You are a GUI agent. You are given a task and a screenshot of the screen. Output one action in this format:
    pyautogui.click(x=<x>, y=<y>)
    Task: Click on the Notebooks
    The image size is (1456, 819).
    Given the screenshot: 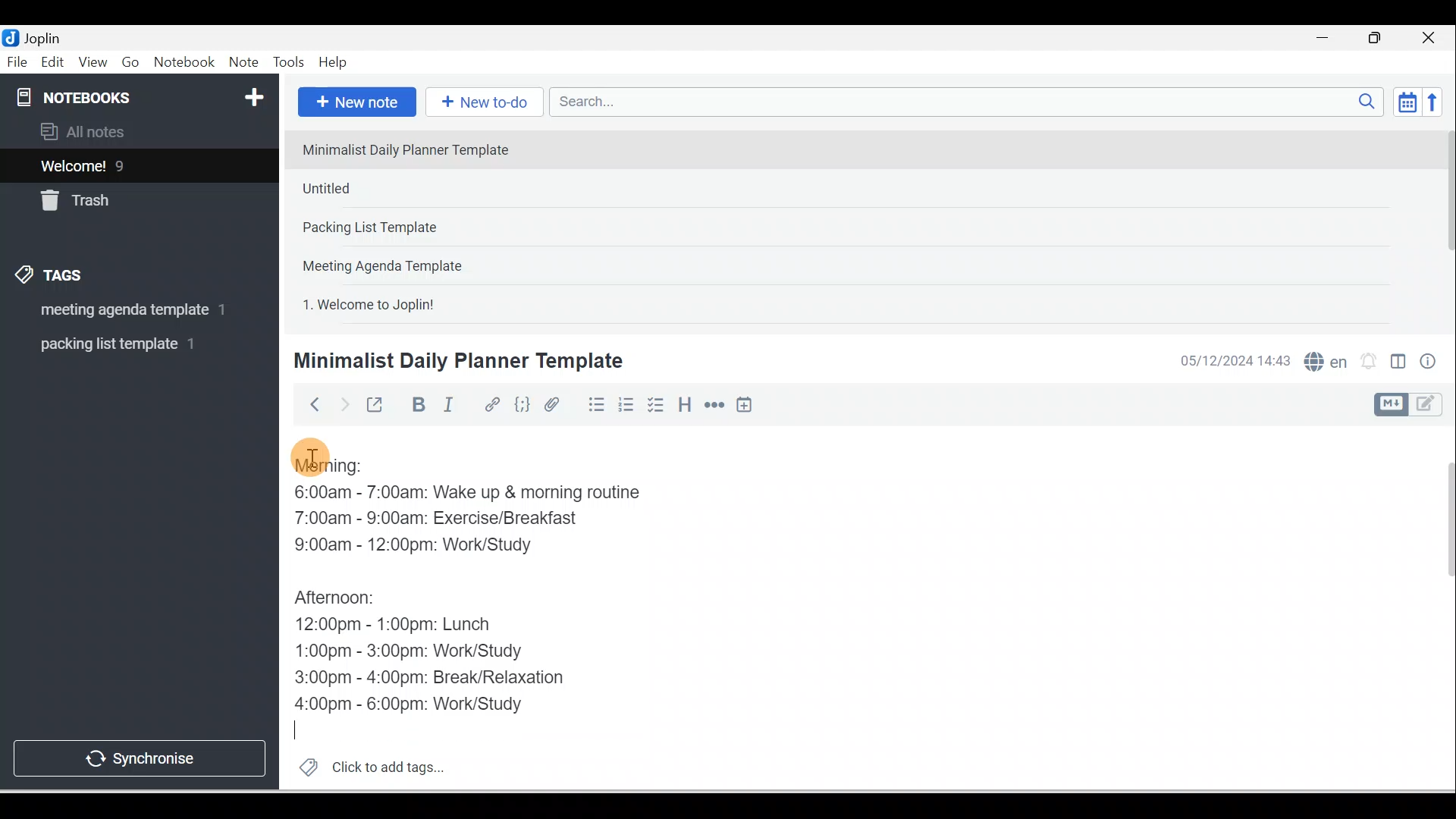 What is the action you would take?
    pyautogui.click(x=143, y=94)
    